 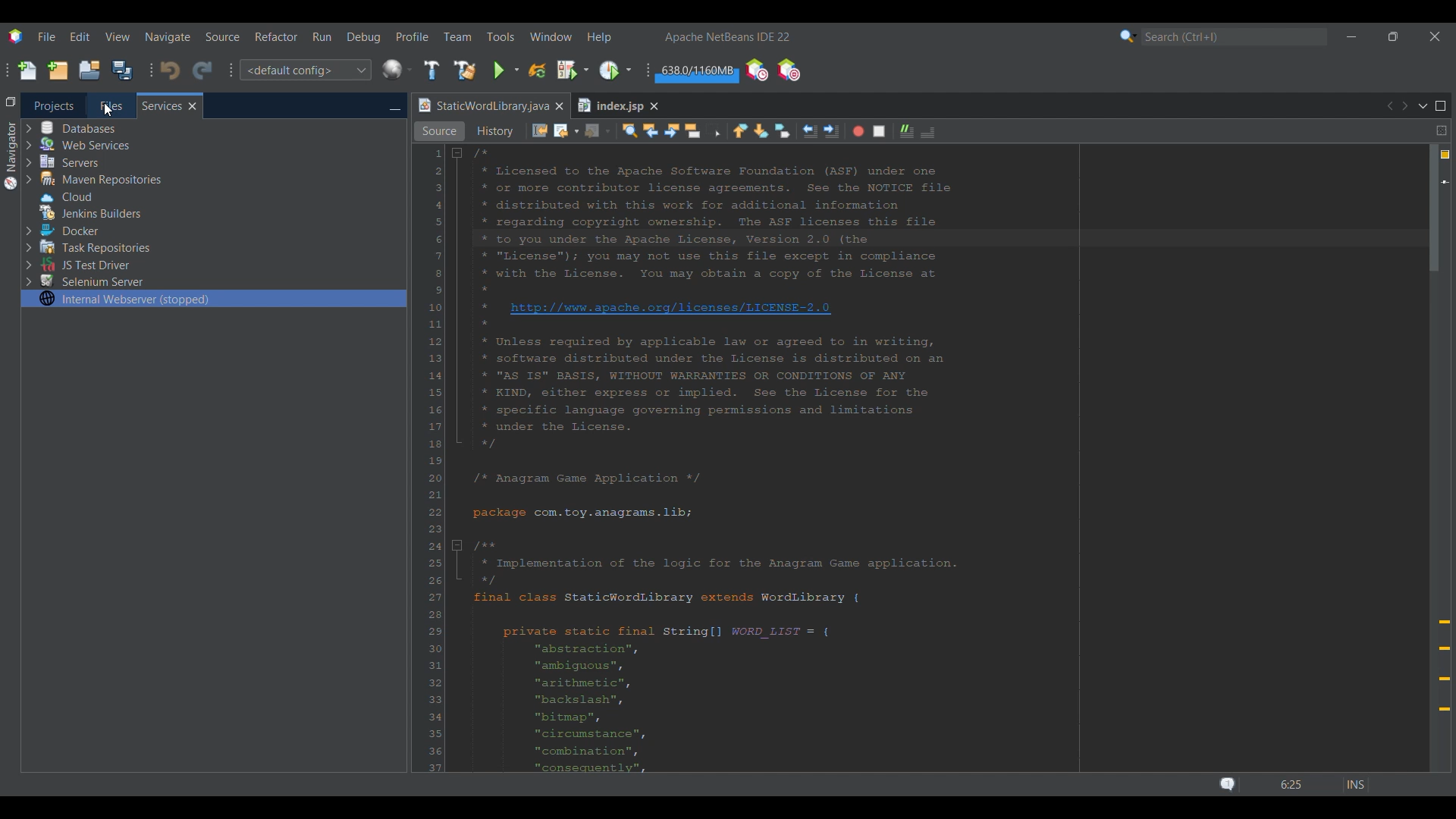 I want to click on Profile main project options, so click(x=617, y=70).